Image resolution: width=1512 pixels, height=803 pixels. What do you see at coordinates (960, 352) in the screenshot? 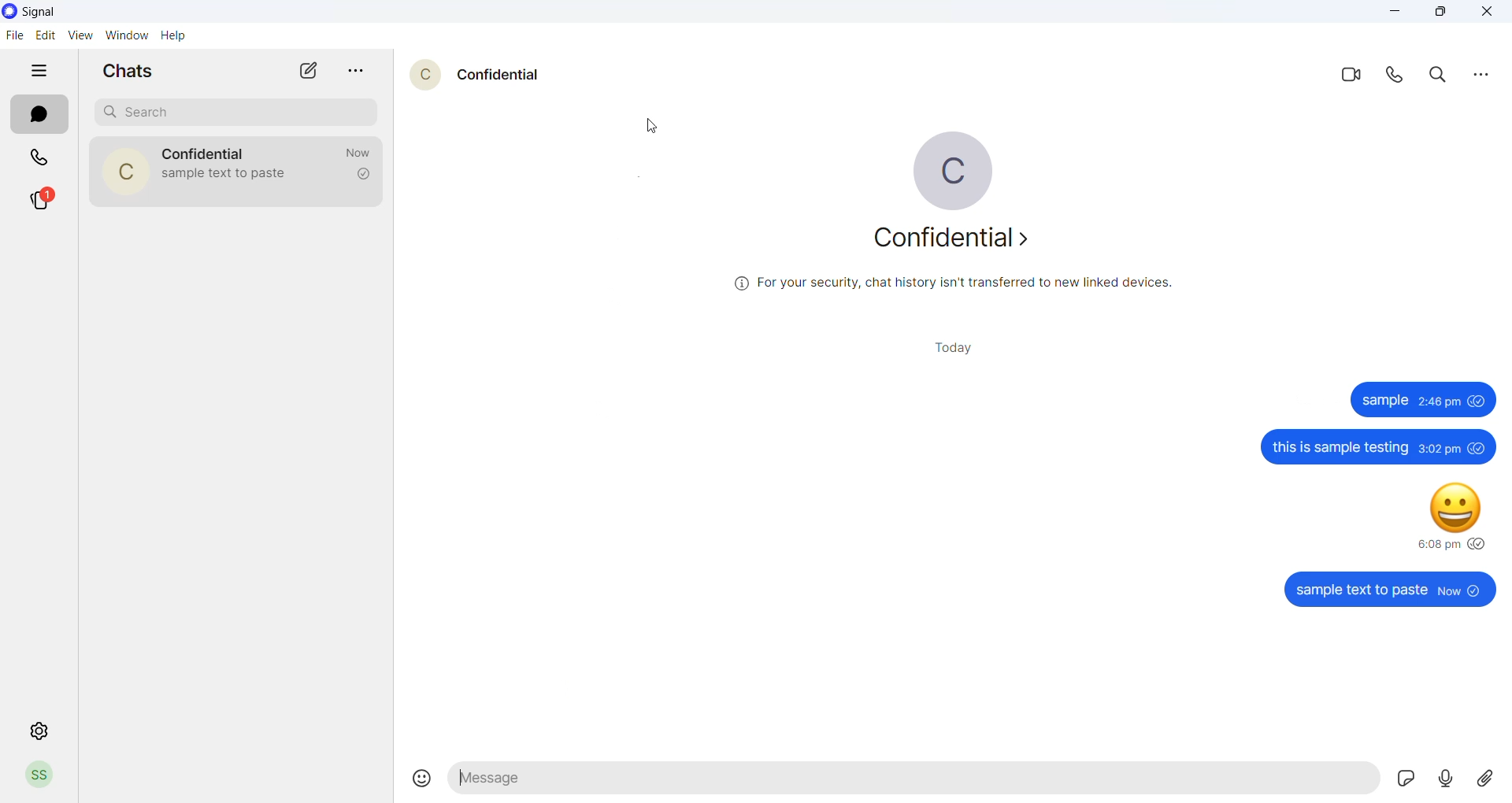
I see `today heading` at bounding box center [960, 352].